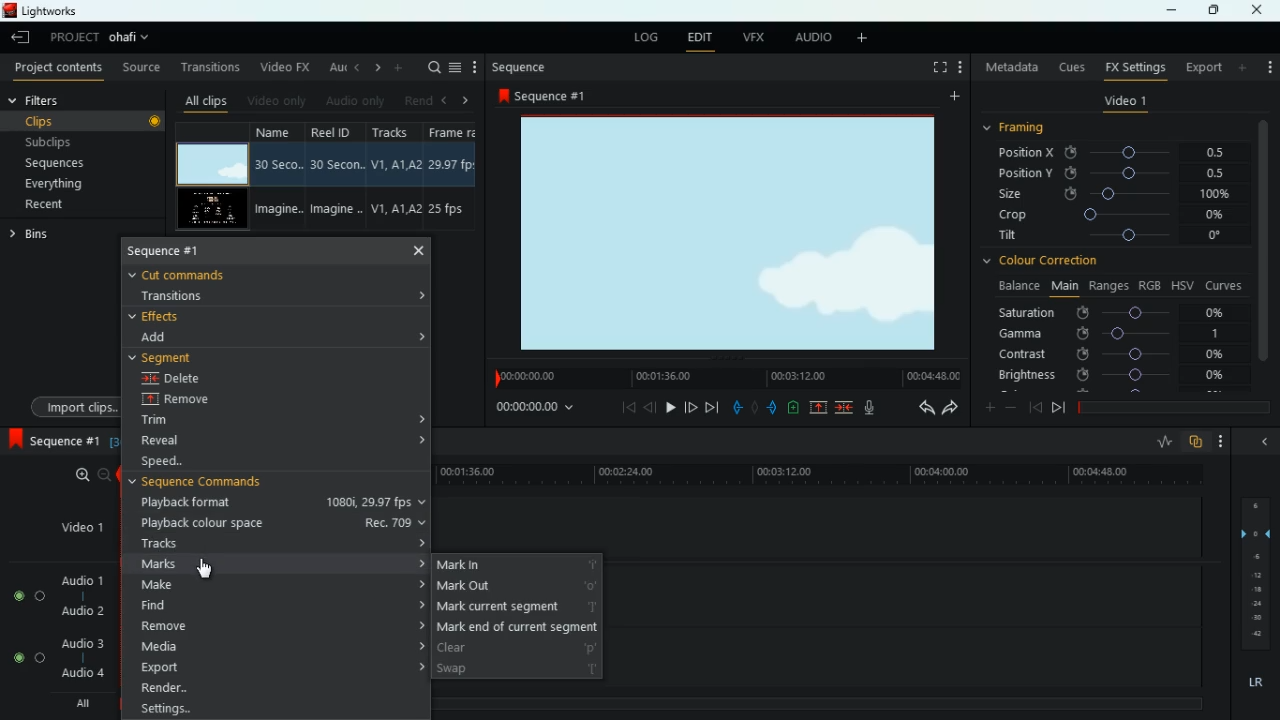 This screenshot has height=720, width=1280. What do you see at coordinates (457, 66) in the screenshot?
I see `menu` at bounding box center [457, 66].